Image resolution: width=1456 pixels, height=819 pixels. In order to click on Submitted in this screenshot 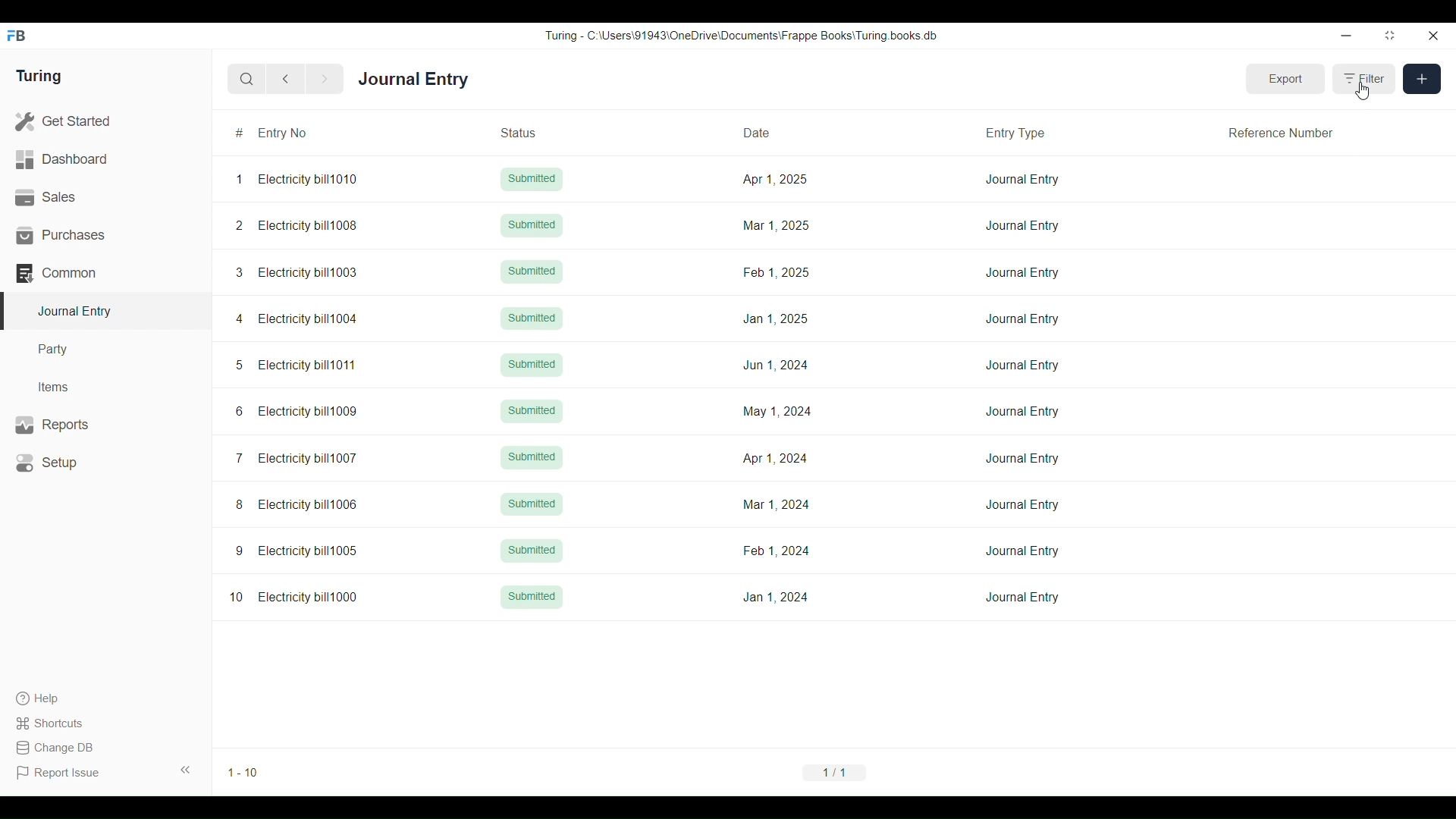, I will do `click(532, 272)`.